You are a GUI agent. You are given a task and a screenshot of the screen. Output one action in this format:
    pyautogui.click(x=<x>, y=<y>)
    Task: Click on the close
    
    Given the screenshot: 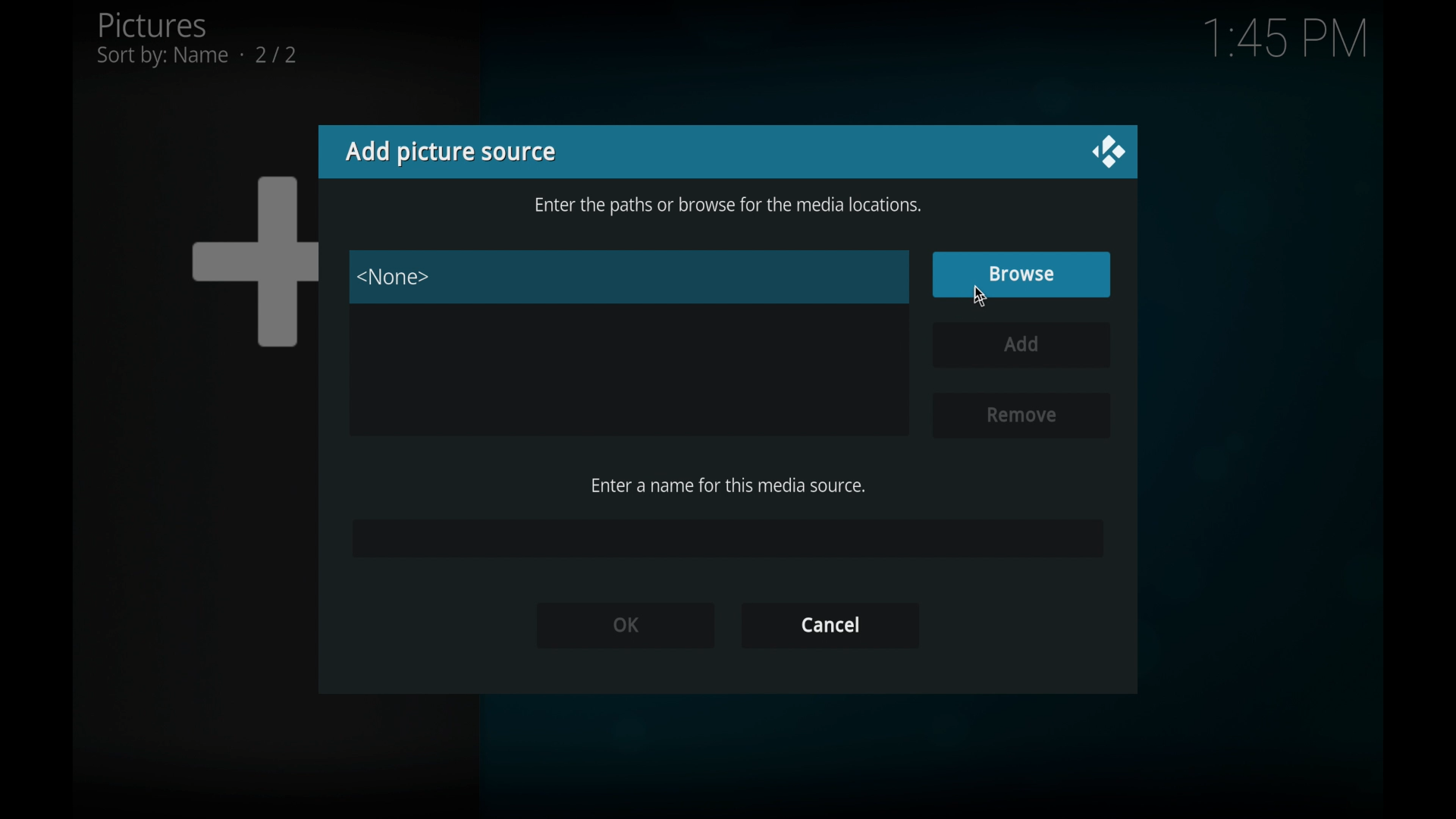 What is the action you would take?
    pyautogui.click(x=1107, y=152)
    